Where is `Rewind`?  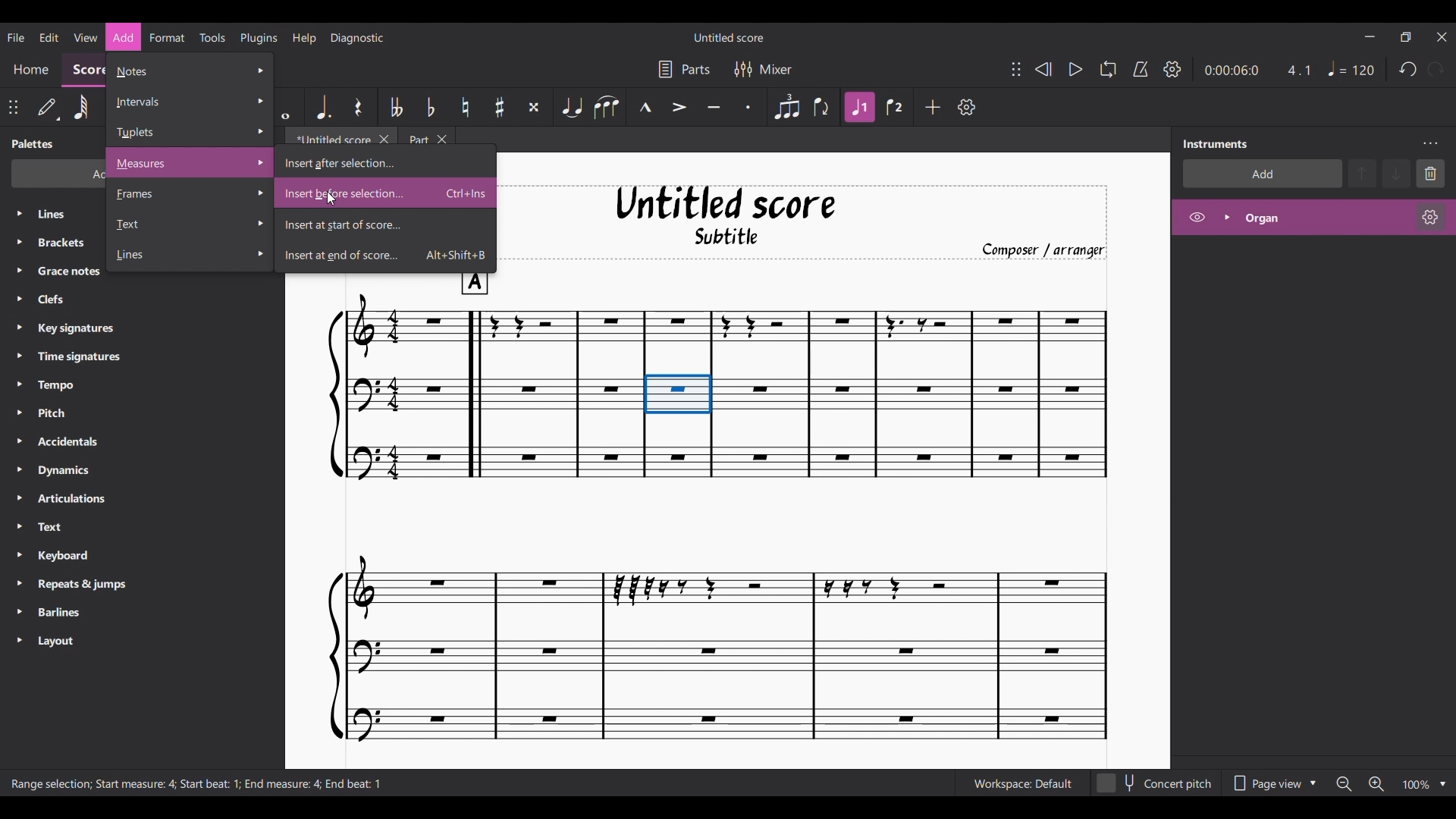 Rewind is located at coordinates (1043, 69).